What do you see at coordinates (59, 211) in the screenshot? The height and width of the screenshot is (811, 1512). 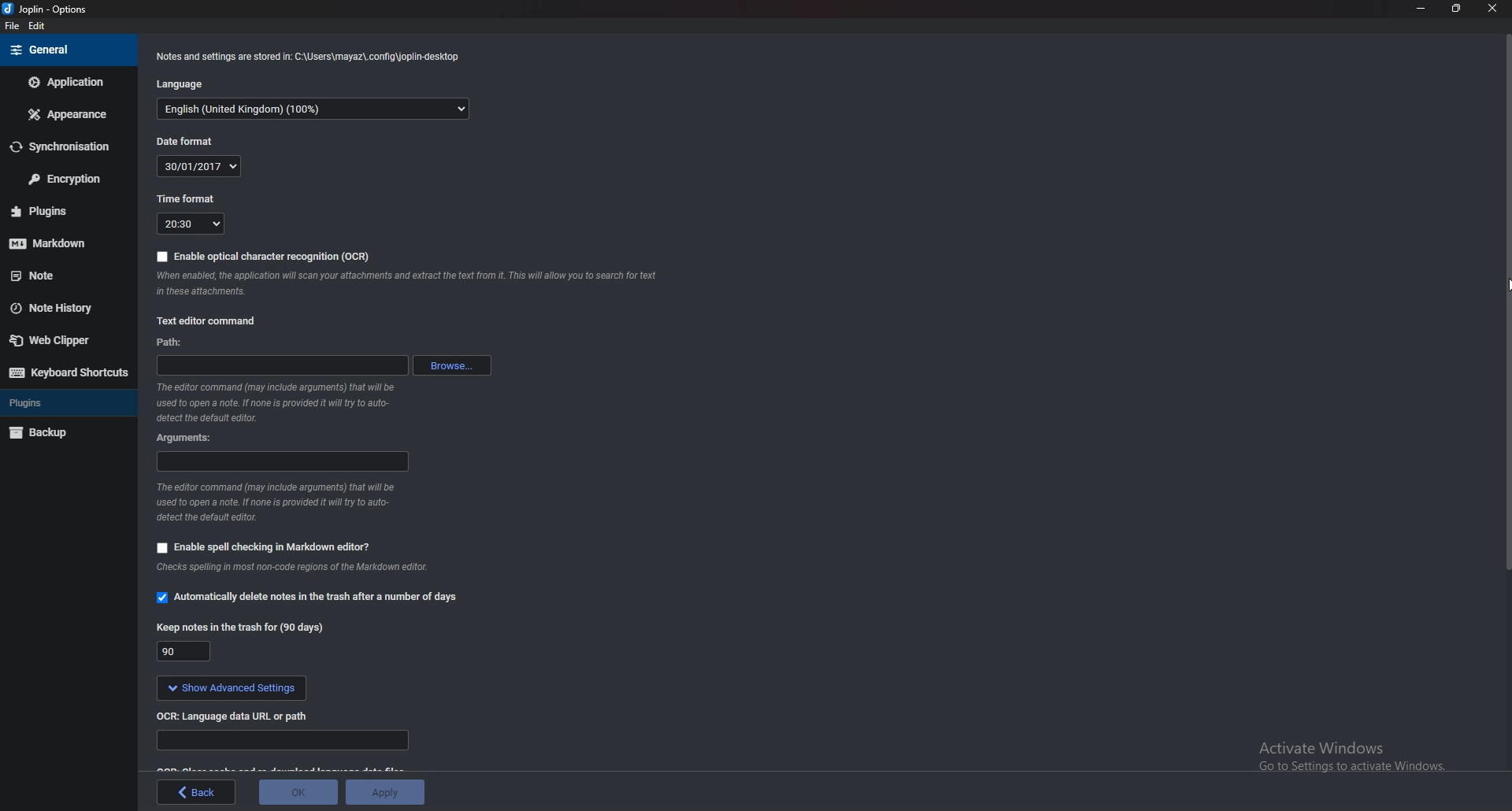 I see `Plugins` at bounding box center [59, 211].